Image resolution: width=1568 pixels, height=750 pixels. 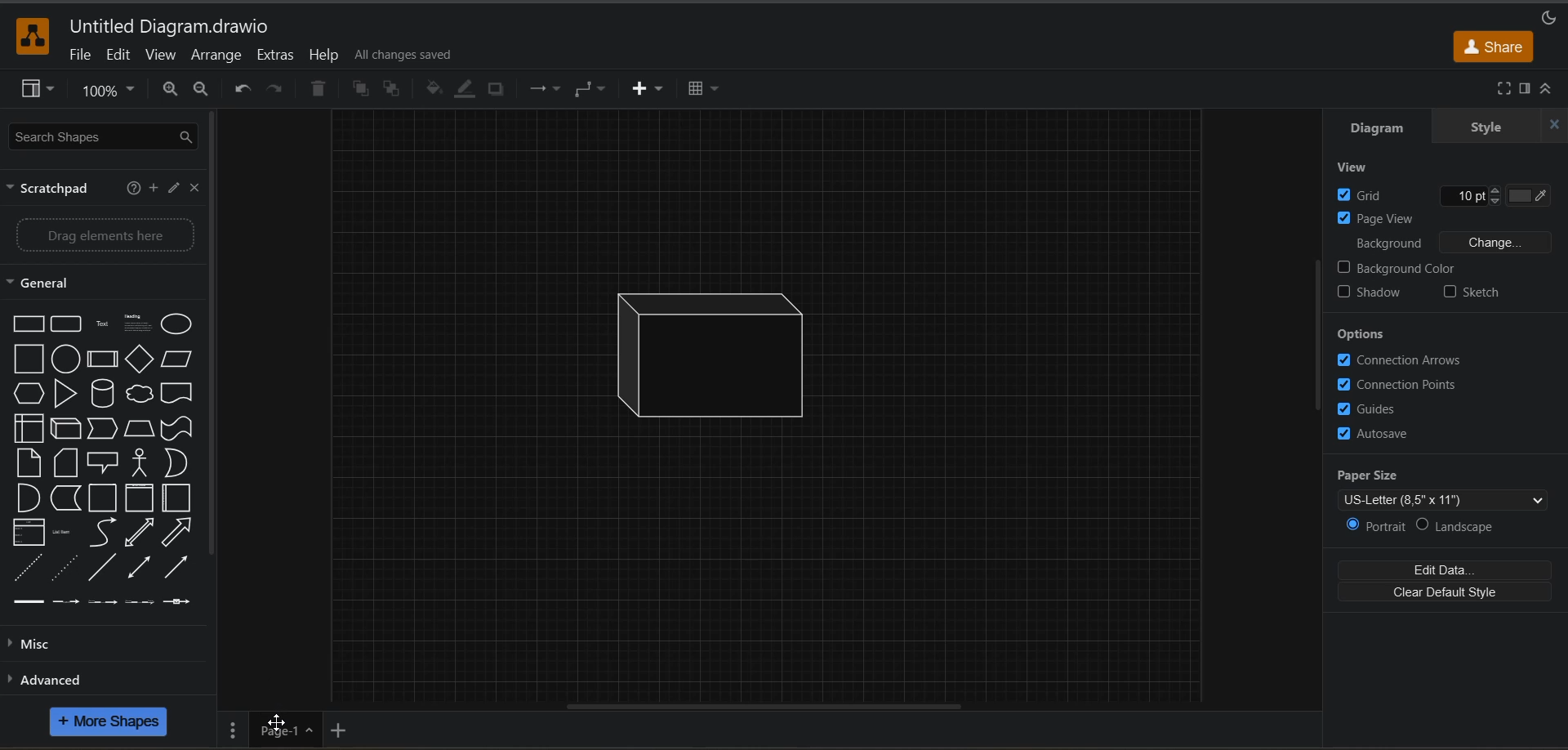 I want to click on Grid color, so click(x=1517, y=190).